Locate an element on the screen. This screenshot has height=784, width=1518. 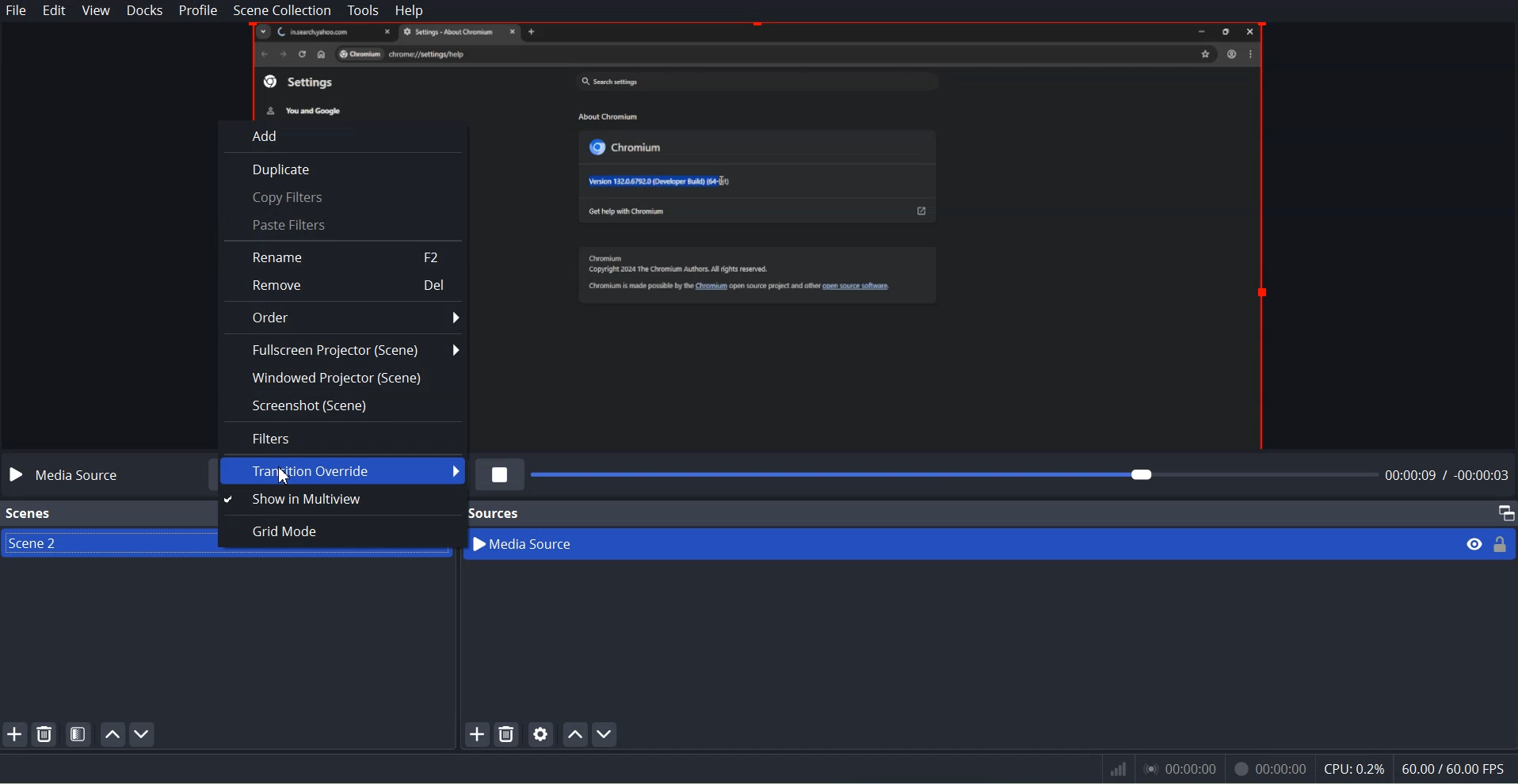
Screenshot is located at coordinates (343, 405).